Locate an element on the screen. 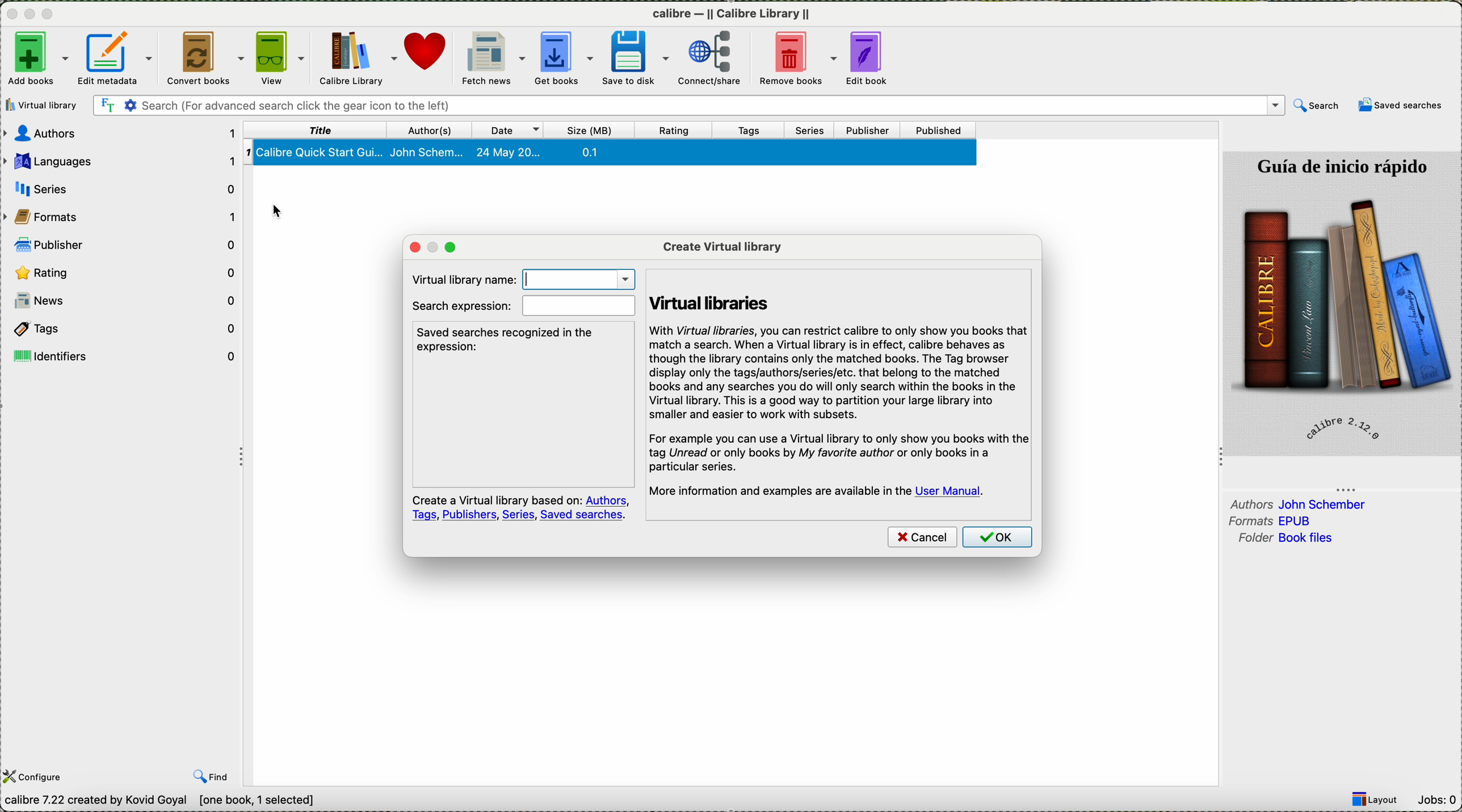 The width and height of the screenshot is (1462, 812). pointer is located at coordinates (287, 204).